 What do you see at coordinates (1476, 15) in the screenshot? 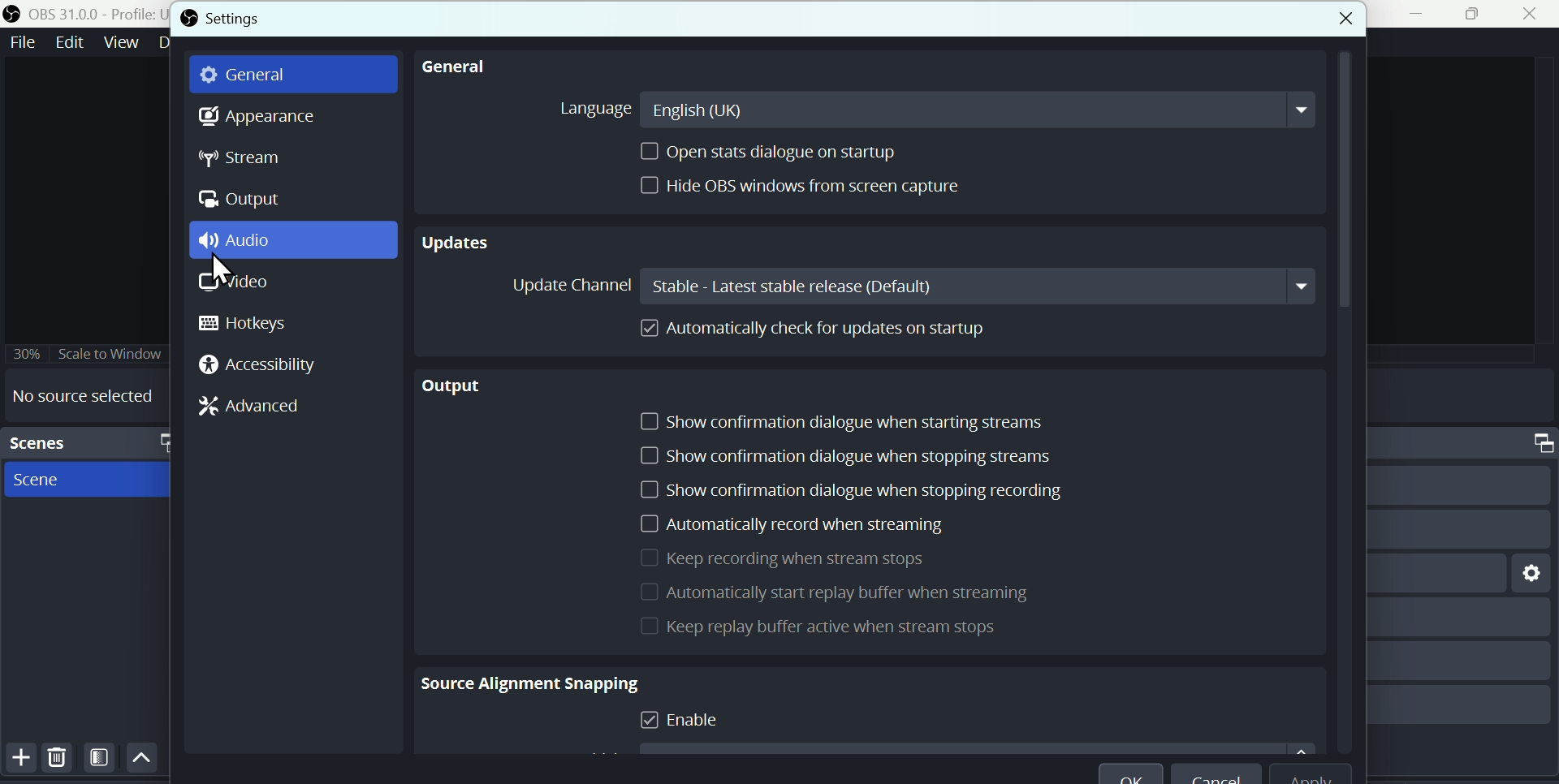
I see `maximise` at bounding box center [1476, 15].